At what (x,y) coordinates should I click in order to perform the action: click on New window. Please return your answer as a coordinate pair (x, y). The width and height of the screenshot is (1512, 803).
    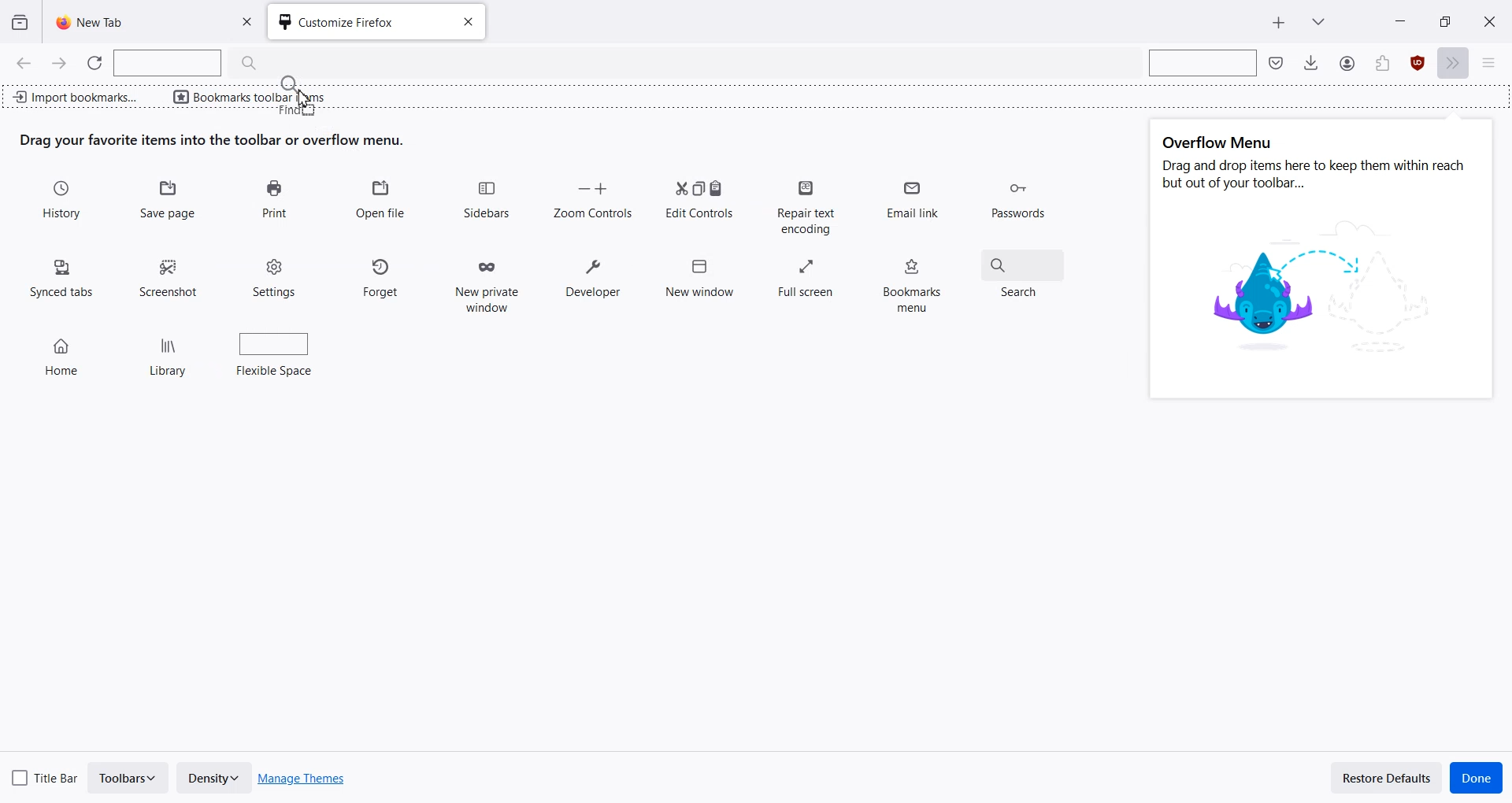
    Looking at the image, I should click on (699, 273).